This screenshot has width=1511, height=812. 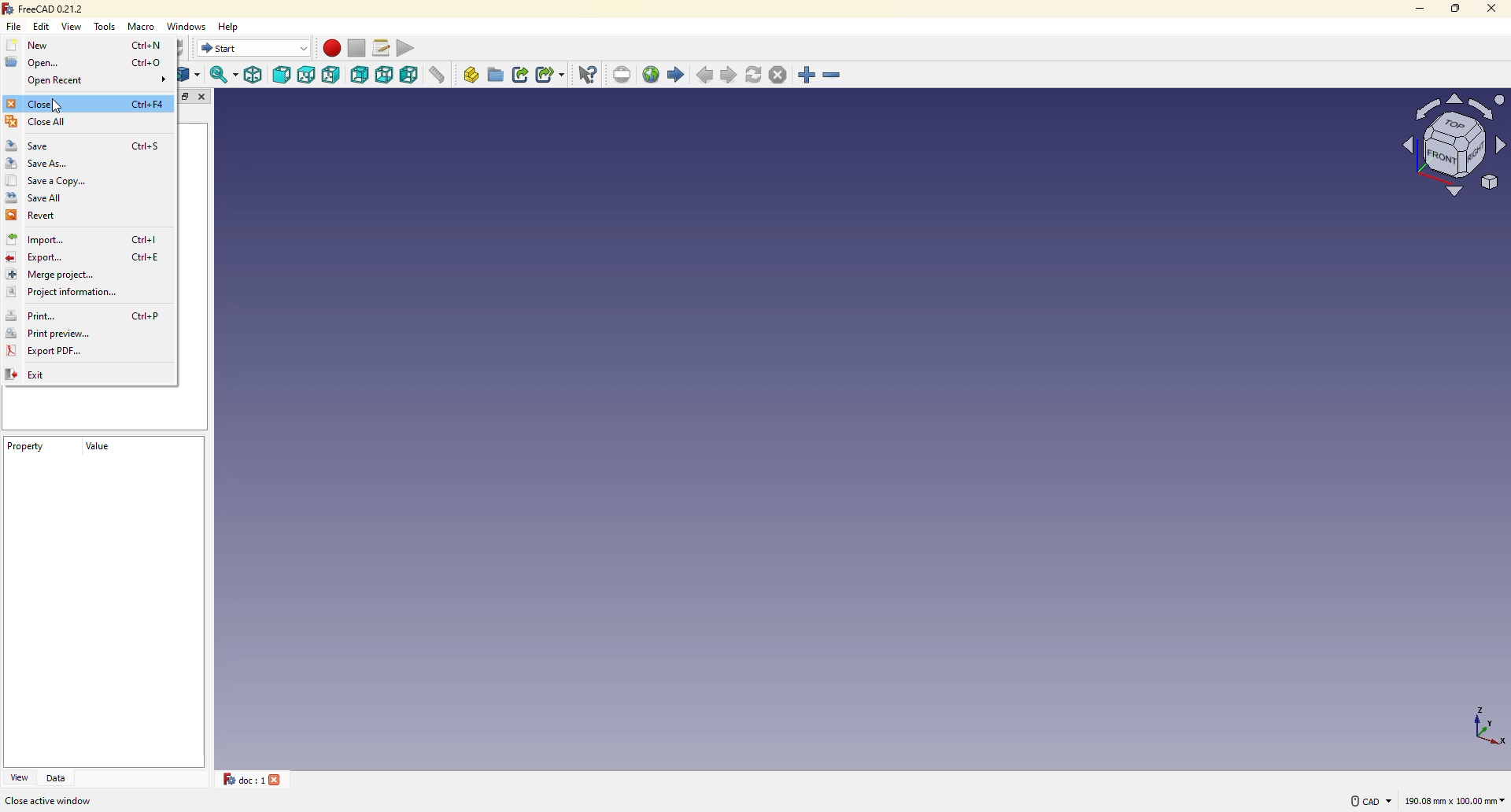 I want to click on export, so click(x=37, y=259).